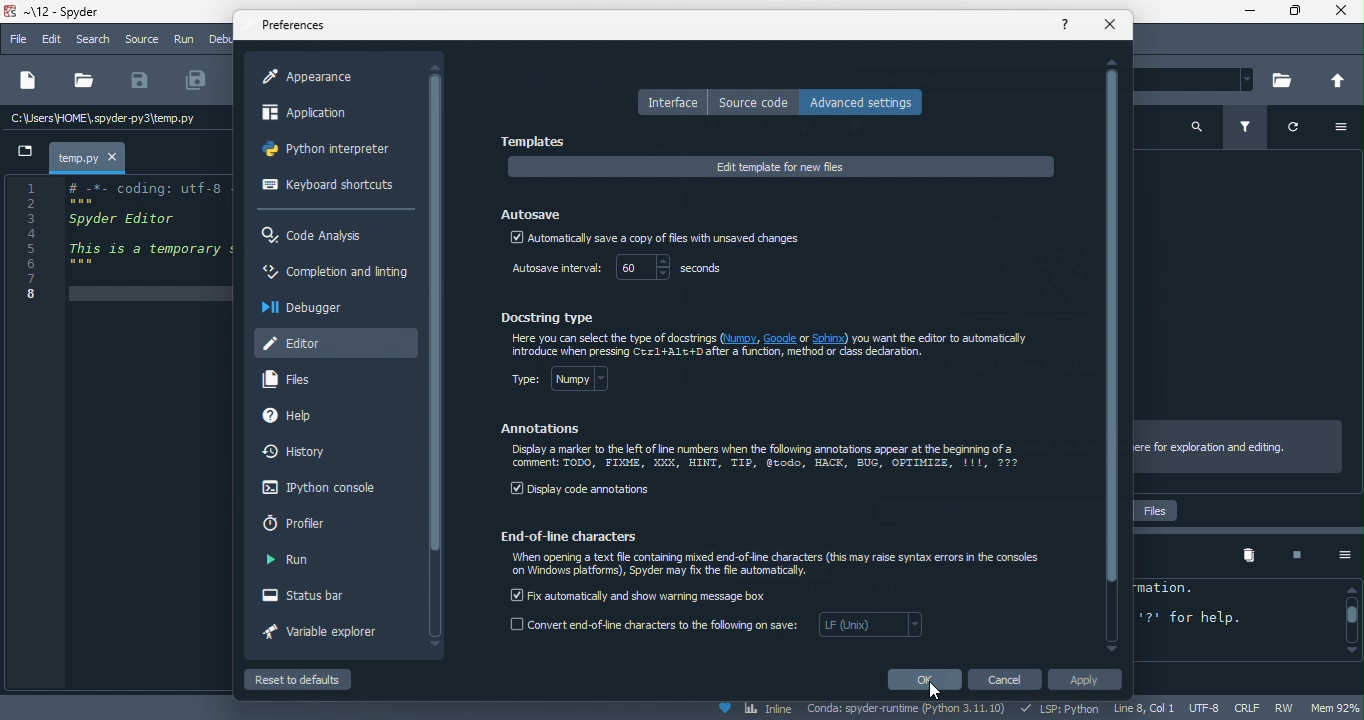  Describe the element at coordinates (436, 313) in the screenshot. I see `vertical scroll bar` at that location.